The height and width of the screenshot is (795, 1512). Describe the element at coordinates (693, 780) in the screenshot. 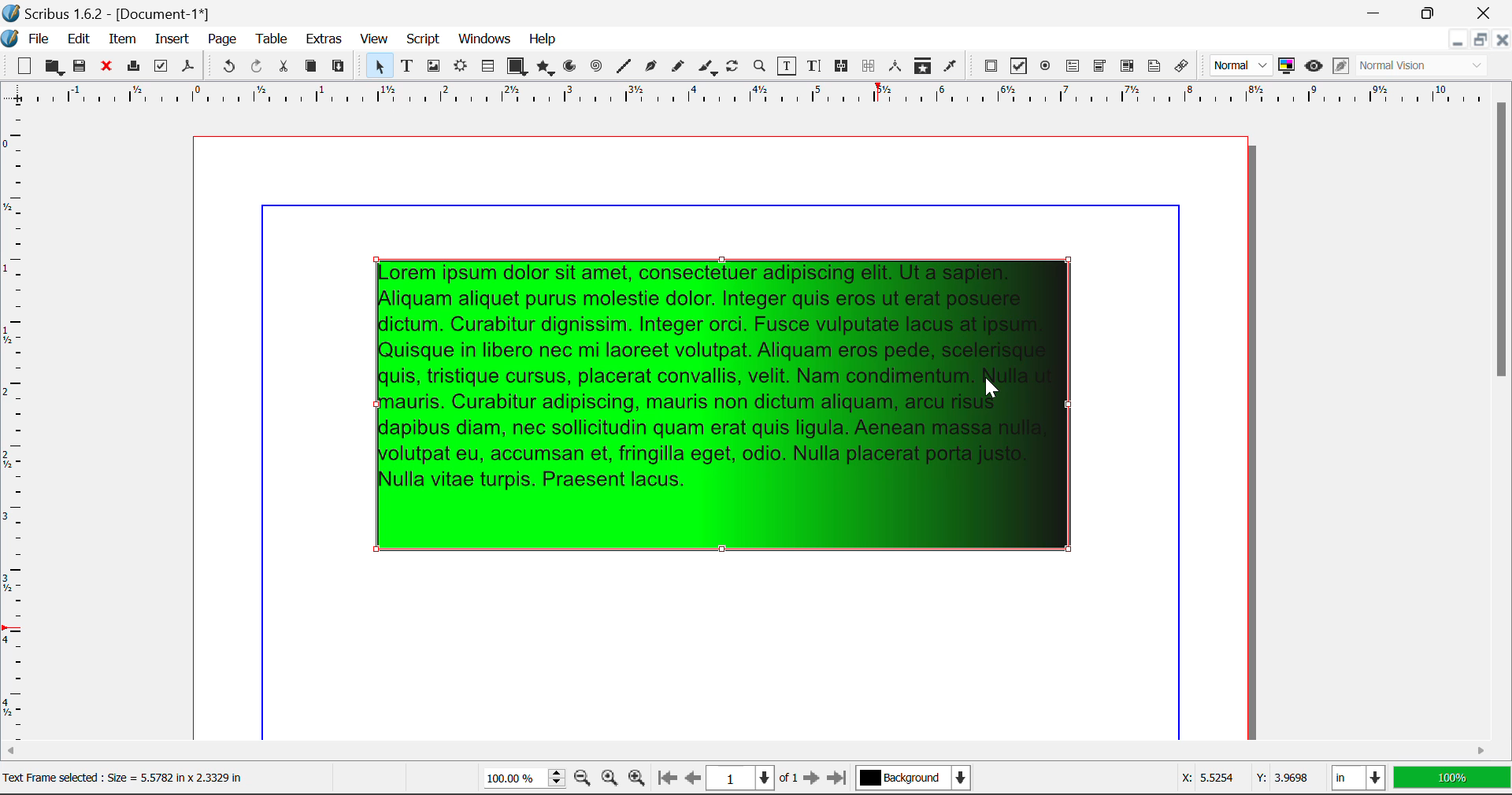

I see `Previous Page` at that location.